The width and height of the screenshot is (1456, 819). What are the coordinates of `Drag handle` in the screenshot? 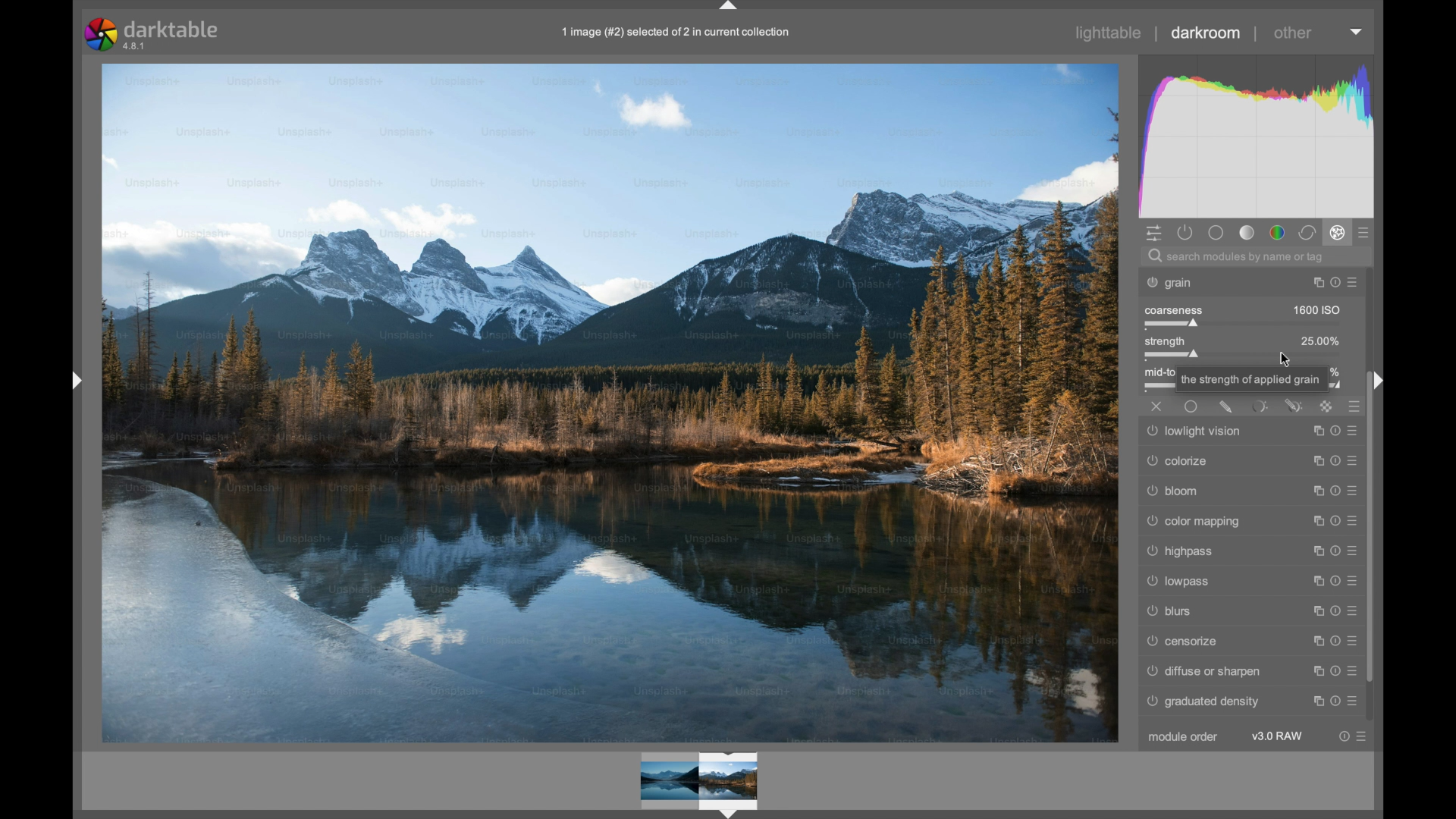 It's located at (74, 379).